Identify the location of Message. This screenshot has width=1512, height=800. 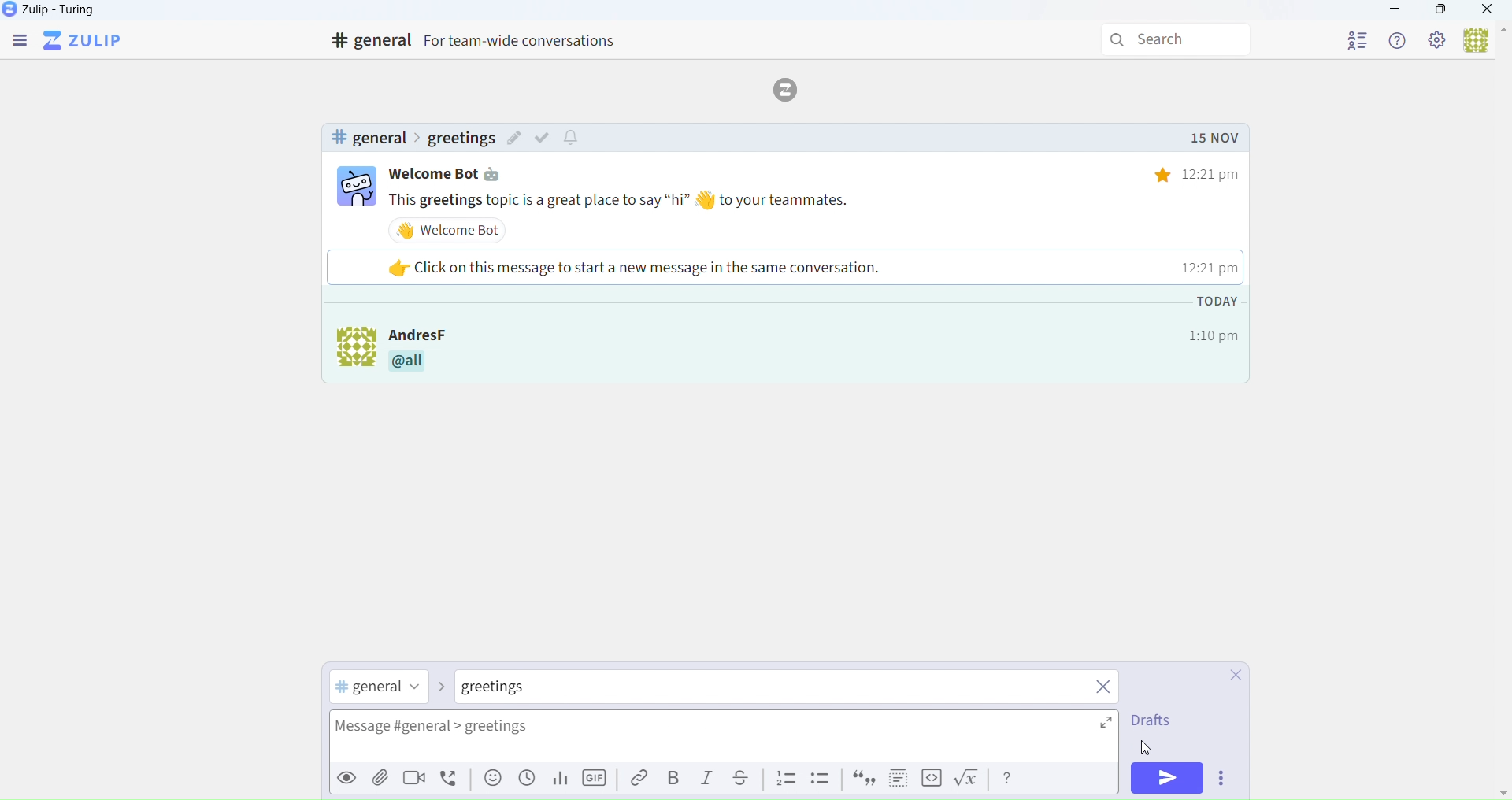
(729, 739).